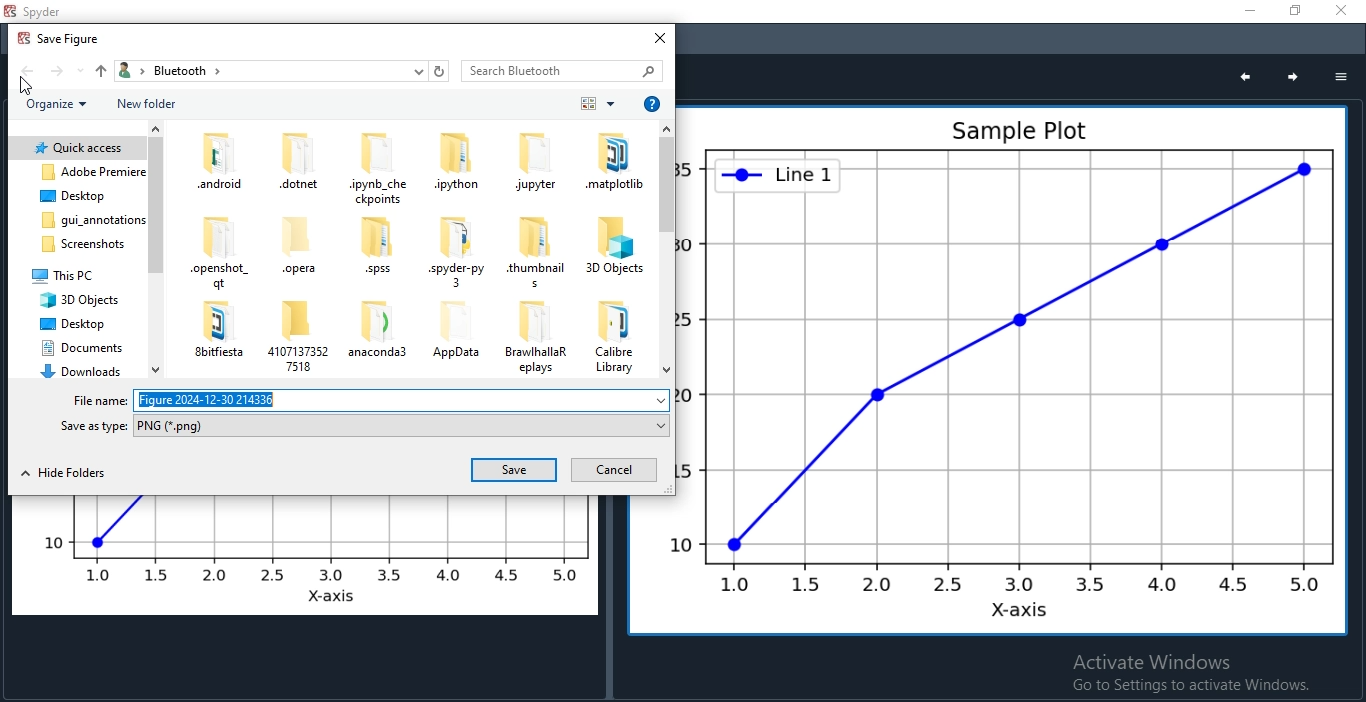 This screenshot has width=1366, height=702. Describe the element at coordinates (71, 194) in the screenshot. I see `folder 3` at that location.